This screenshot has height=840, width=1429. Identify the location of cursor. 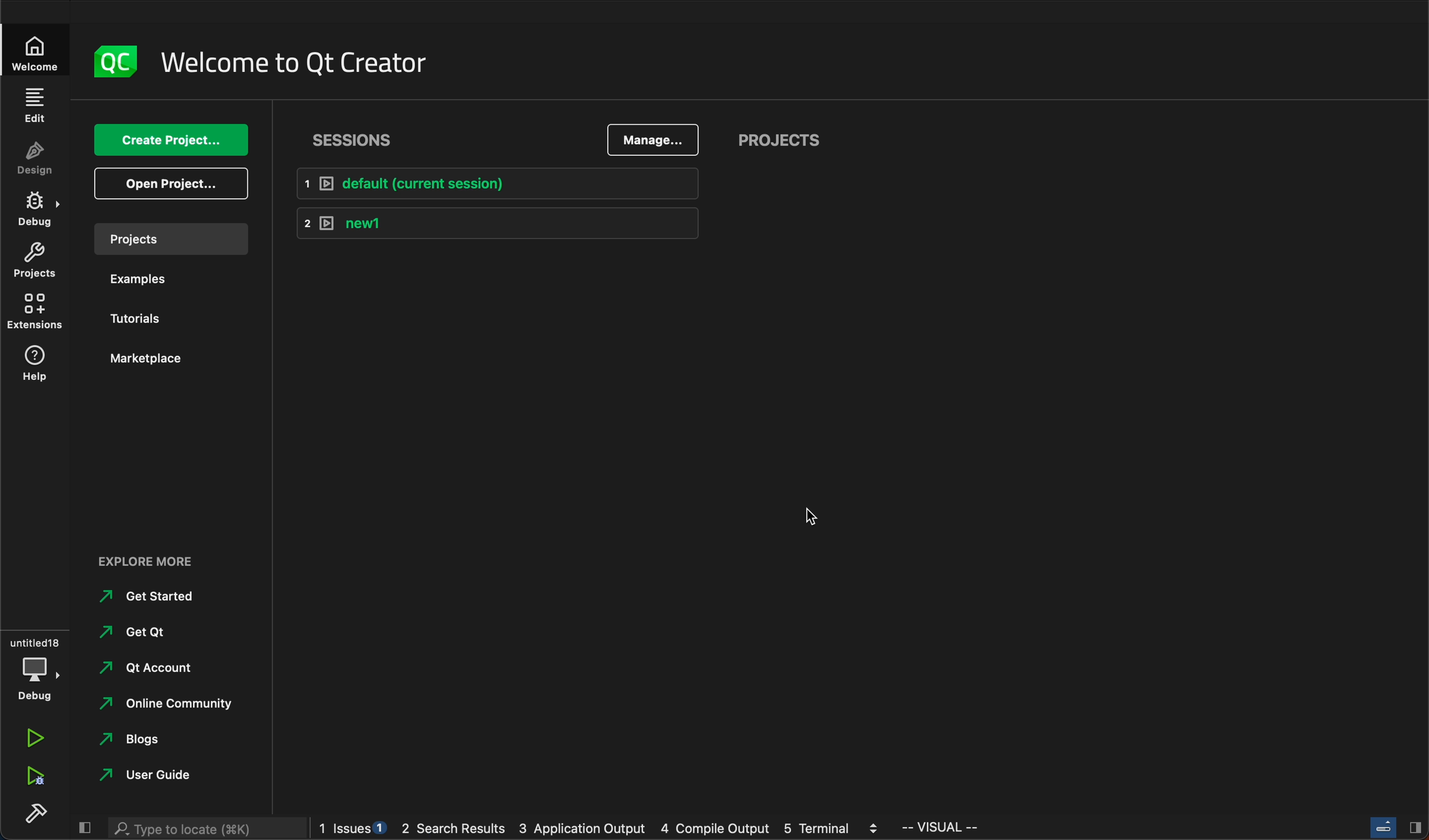
(811, 517).